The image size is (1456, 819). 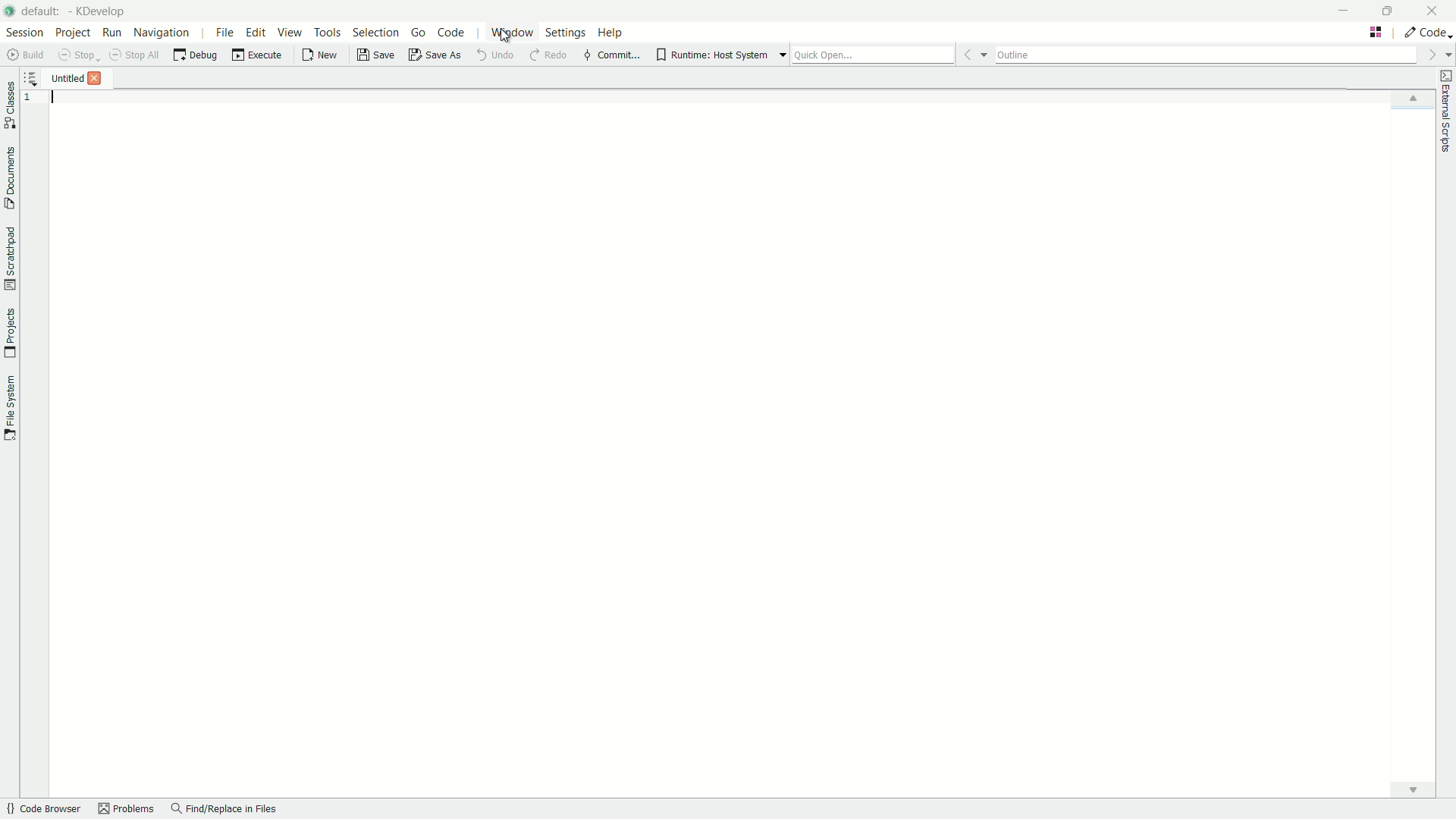 What do you see at coordinates (259, 33) in the screenshot?
I see `edit menu` at bounding box center [259, 33].